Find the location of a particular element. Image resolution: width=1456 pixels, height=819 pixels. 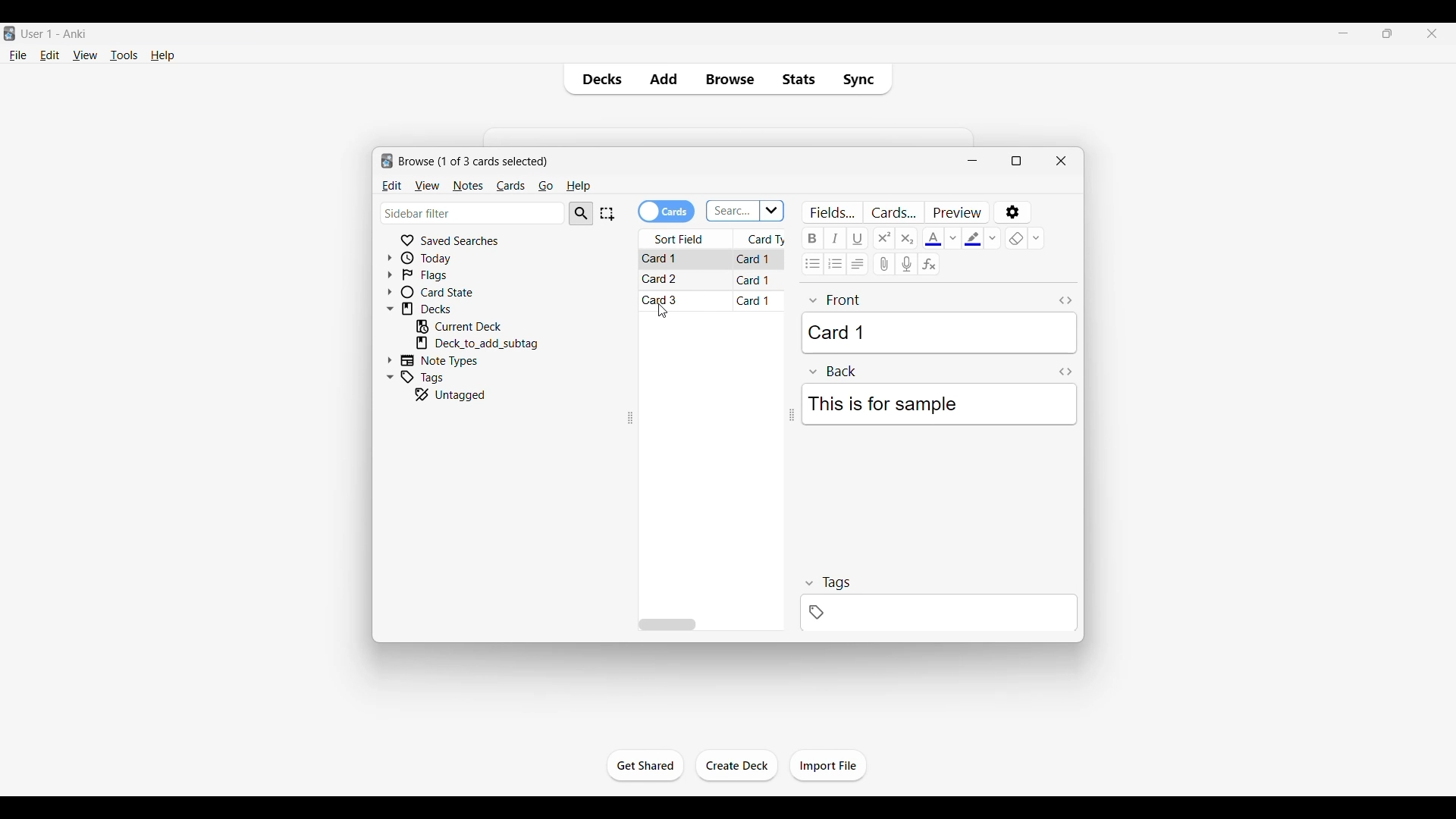

Sync is located at coordinates (862, 79).